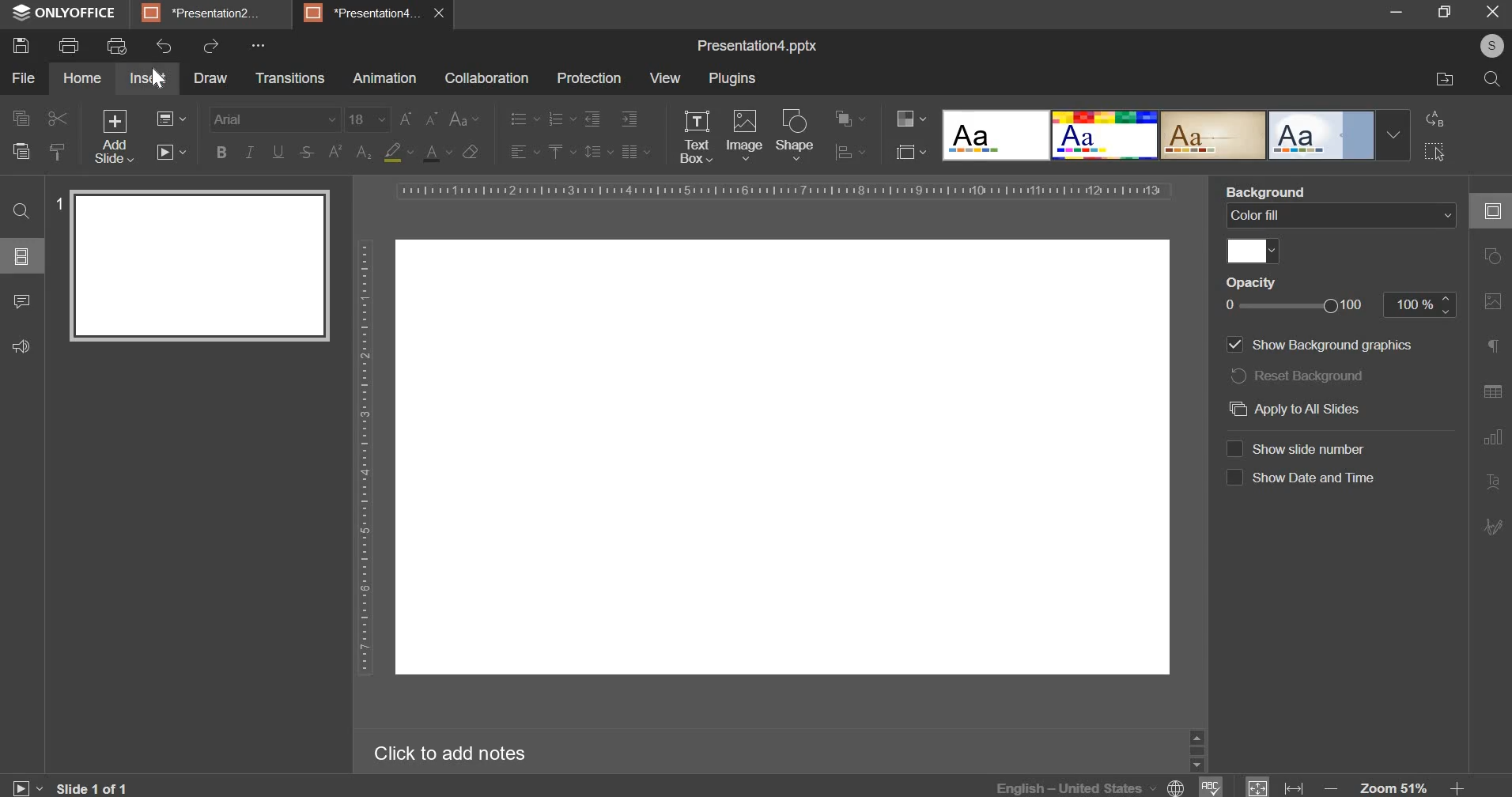 This screenshot has width=1512, height=797. I want to click on numbering, so click(562, 120).